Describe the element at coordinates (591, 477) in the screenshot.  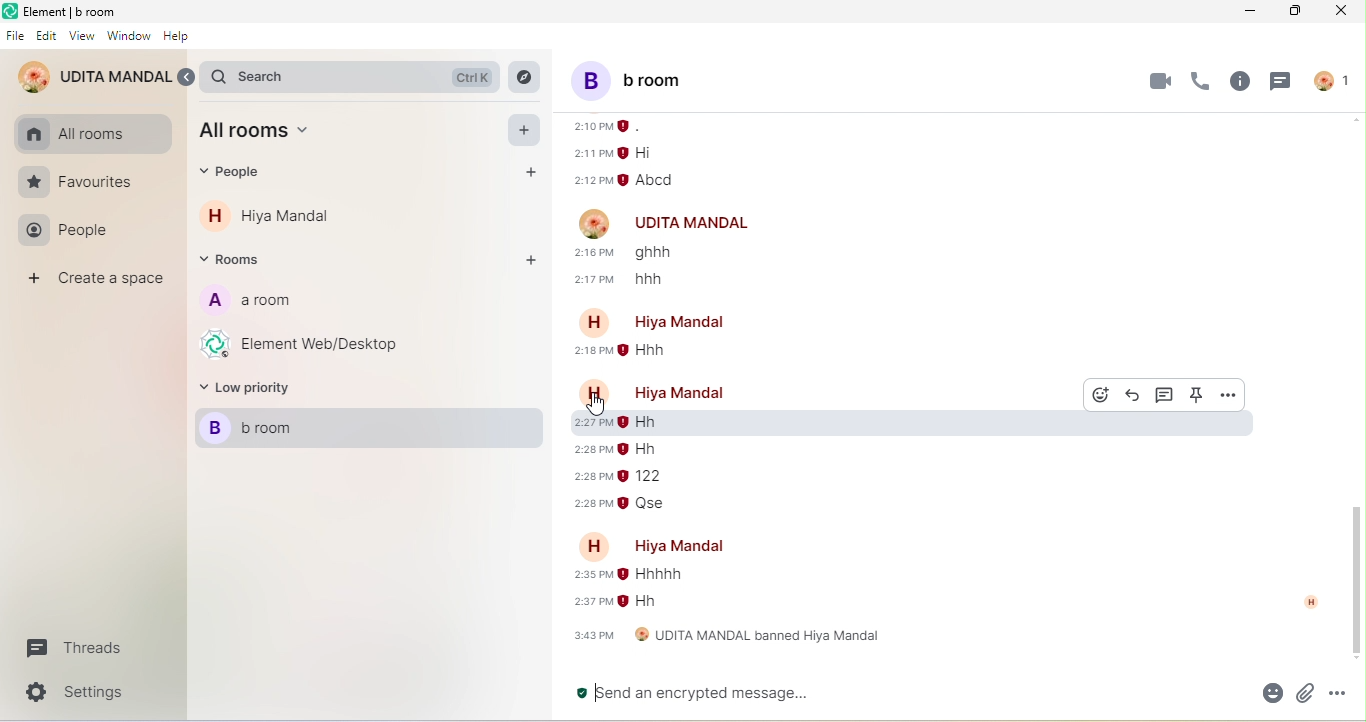
I see `sending message time` at that location.